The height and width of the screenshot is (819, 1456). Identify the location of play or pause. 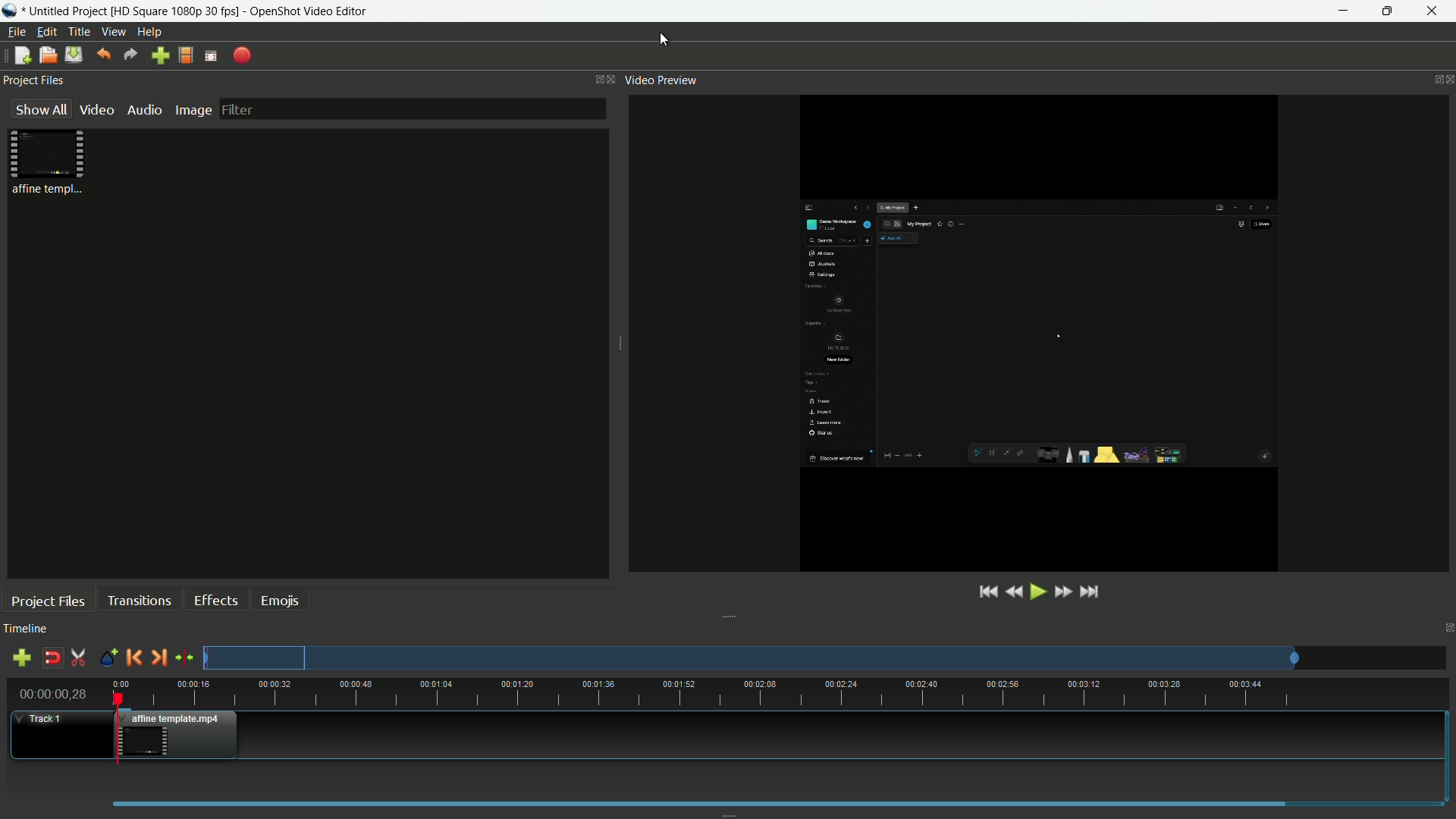
(1038, 593).